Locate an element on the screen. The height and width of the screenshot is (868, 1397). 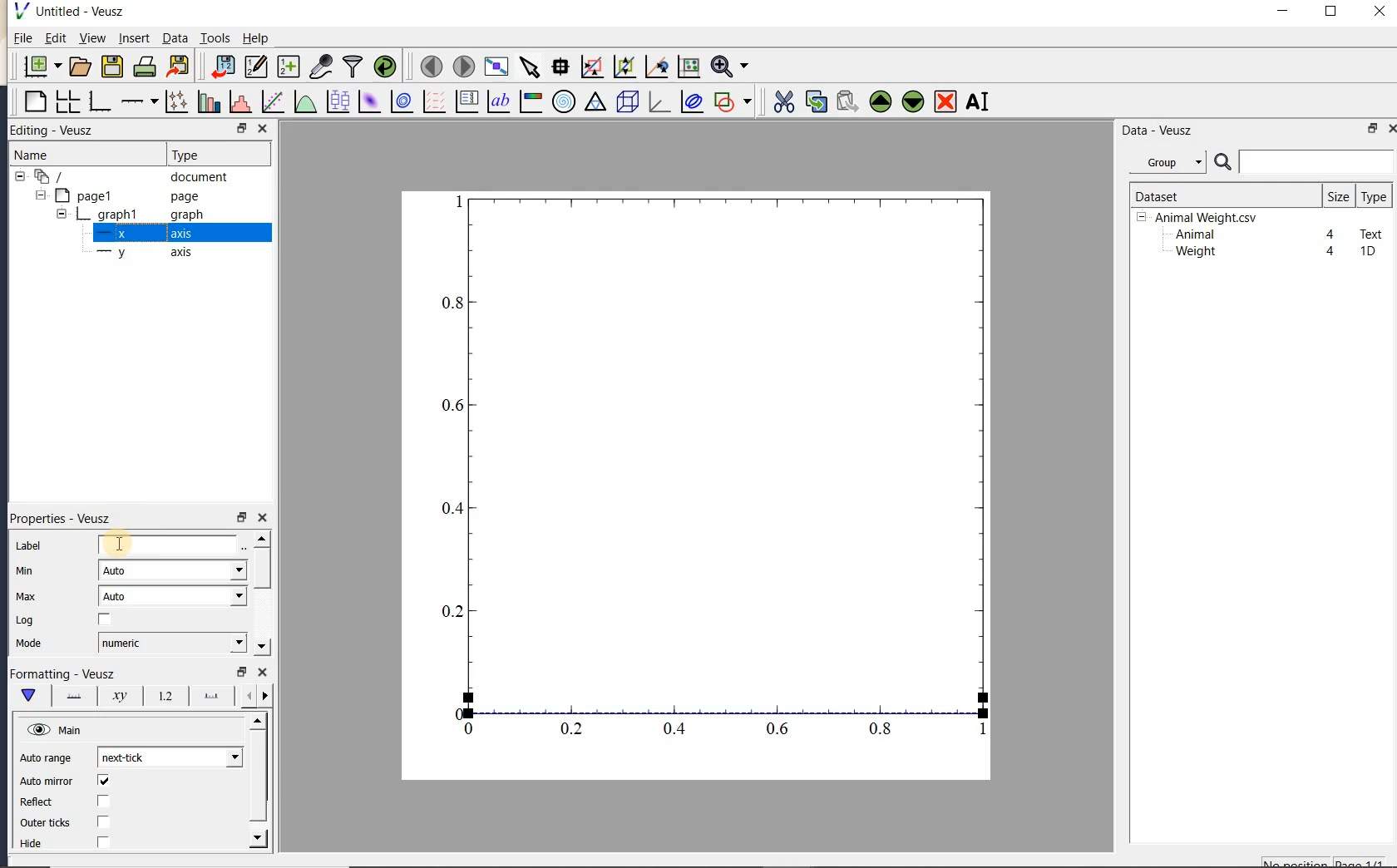
open a document is located at coordinates (78, 67).